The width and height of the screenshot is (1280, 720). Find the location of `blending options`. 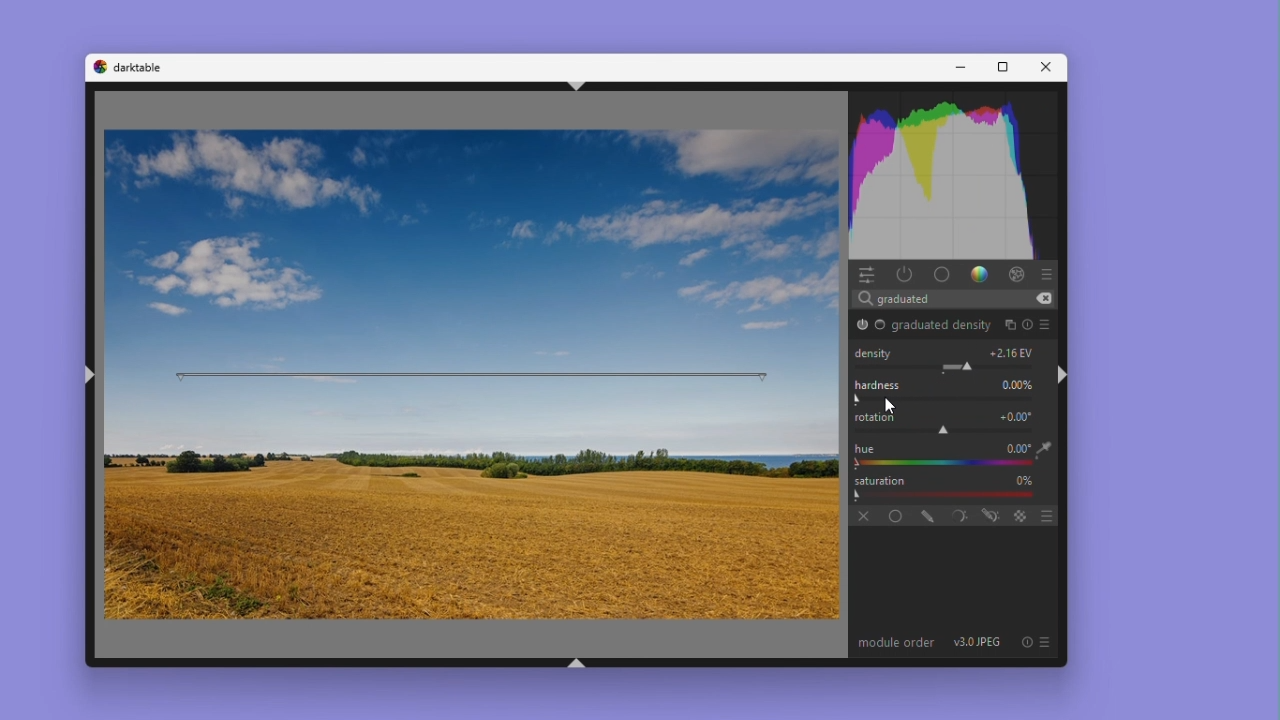

blending options is located at coordinates (1021, 515).